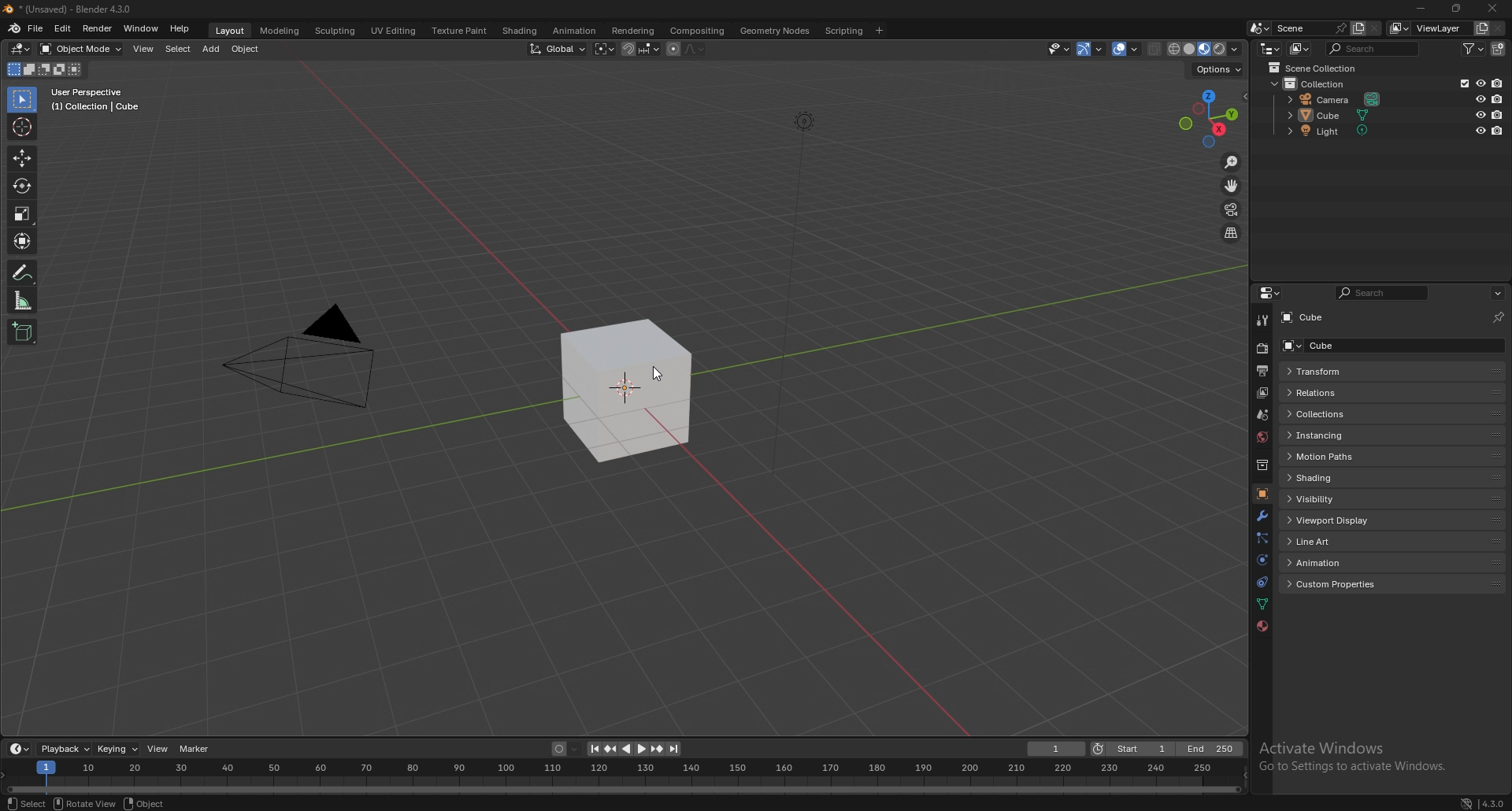  Describe the element at coordinates (1334, 436) in the screenshot. I see `instancing` at that location.